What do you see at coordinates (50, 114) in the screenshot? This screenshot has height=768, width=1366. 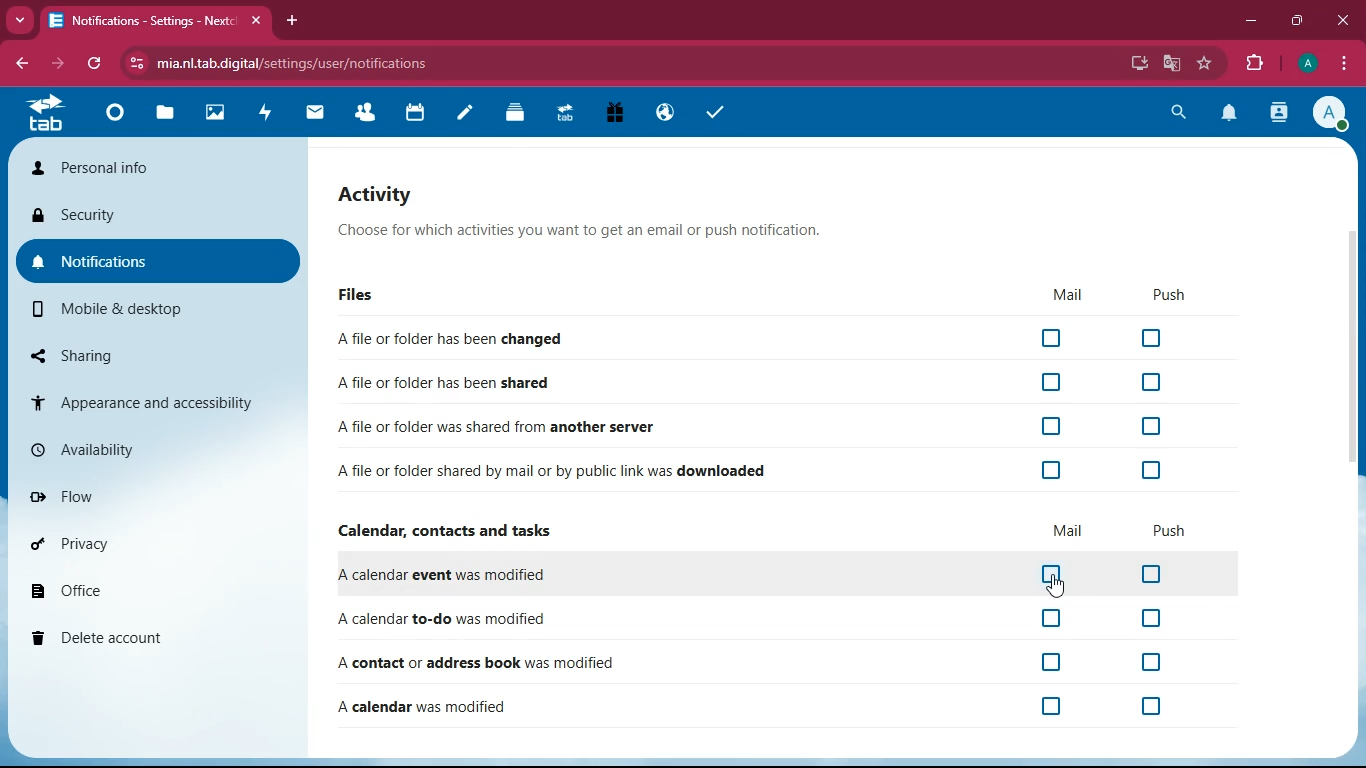 I see `tab` at bounding box center [50, 114].